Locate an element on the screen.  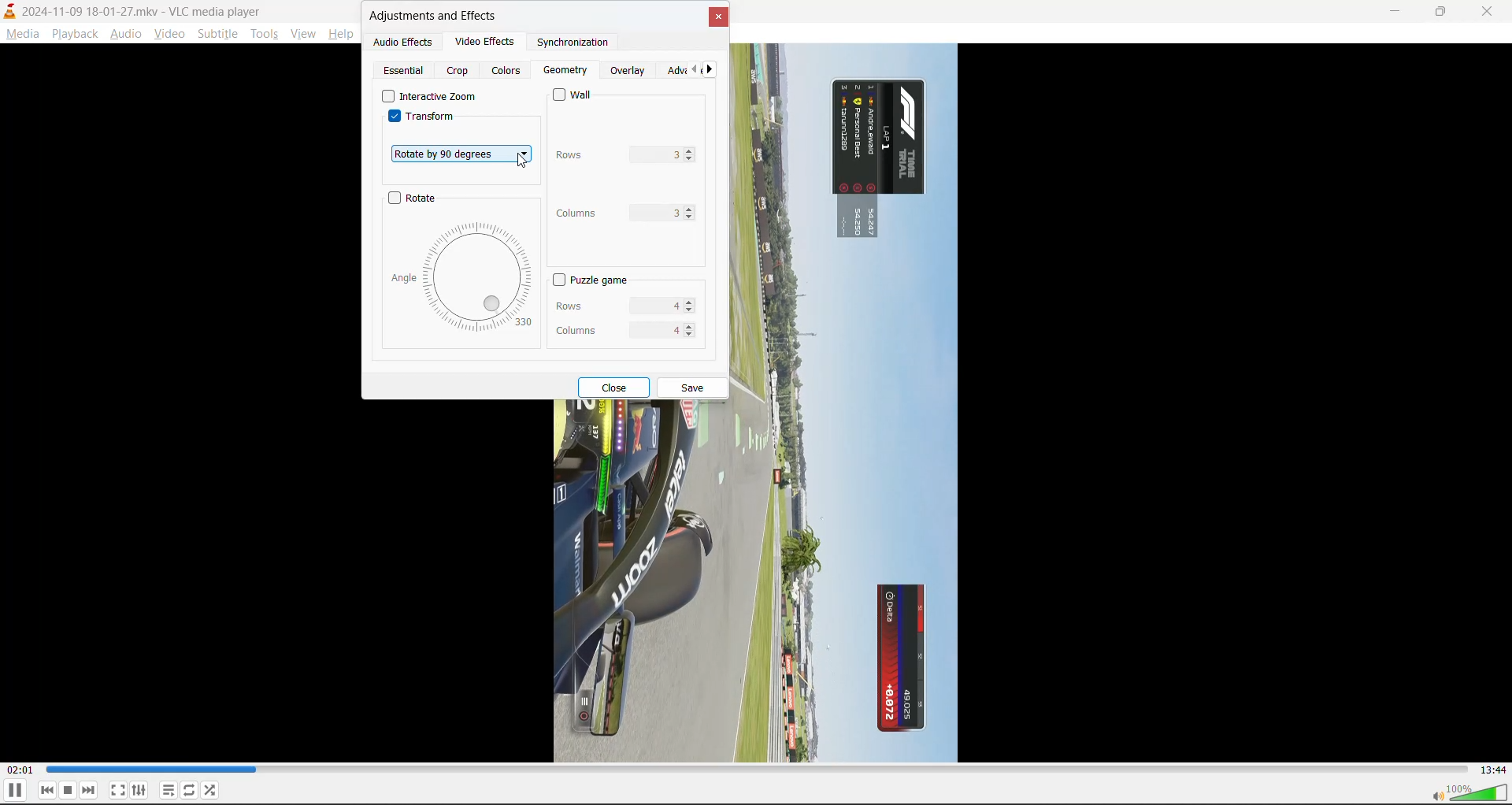
settings is located at coordinates (140, 791).